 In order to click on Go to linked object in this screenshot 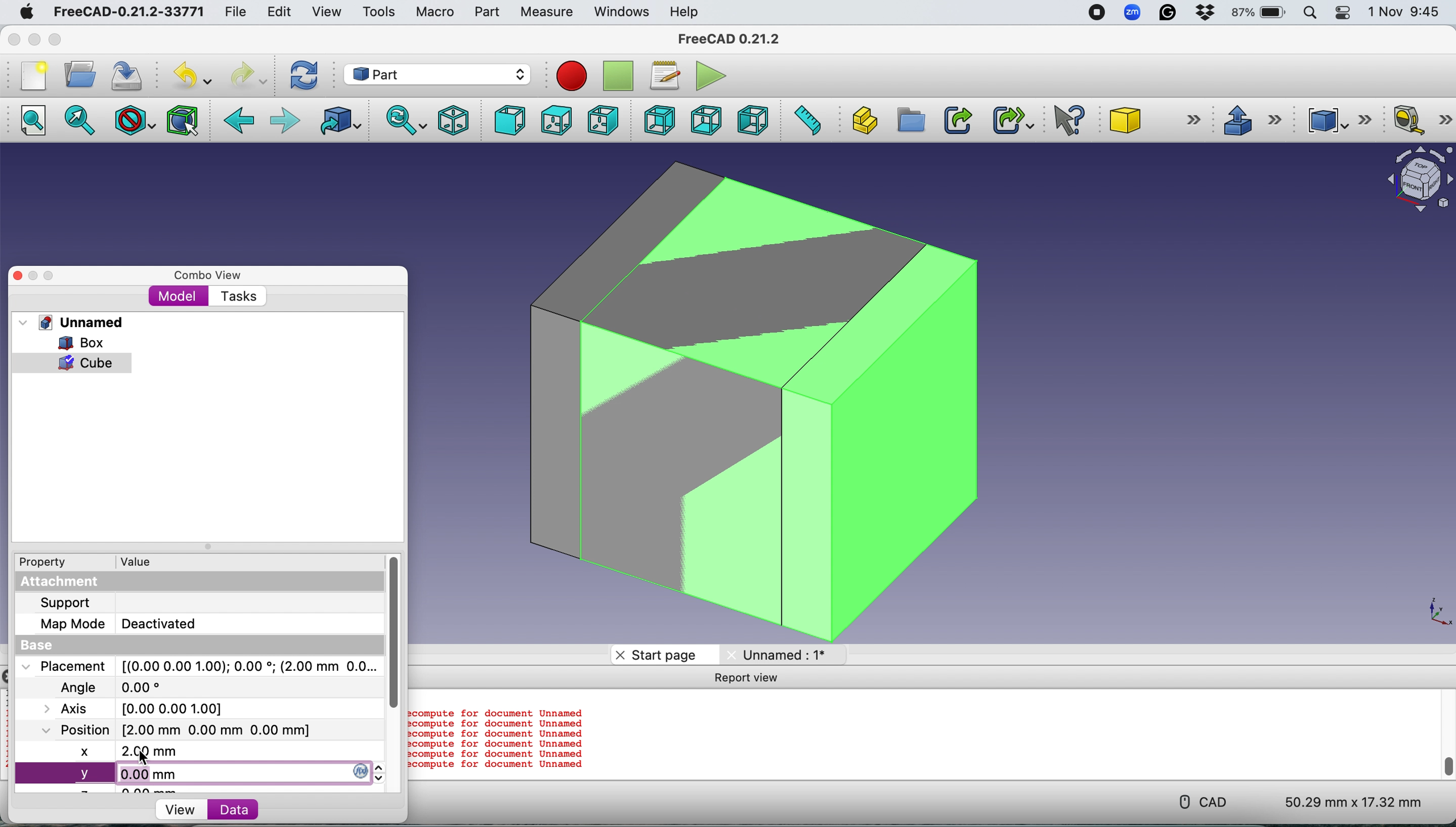, I will do `click(343, 121)`.